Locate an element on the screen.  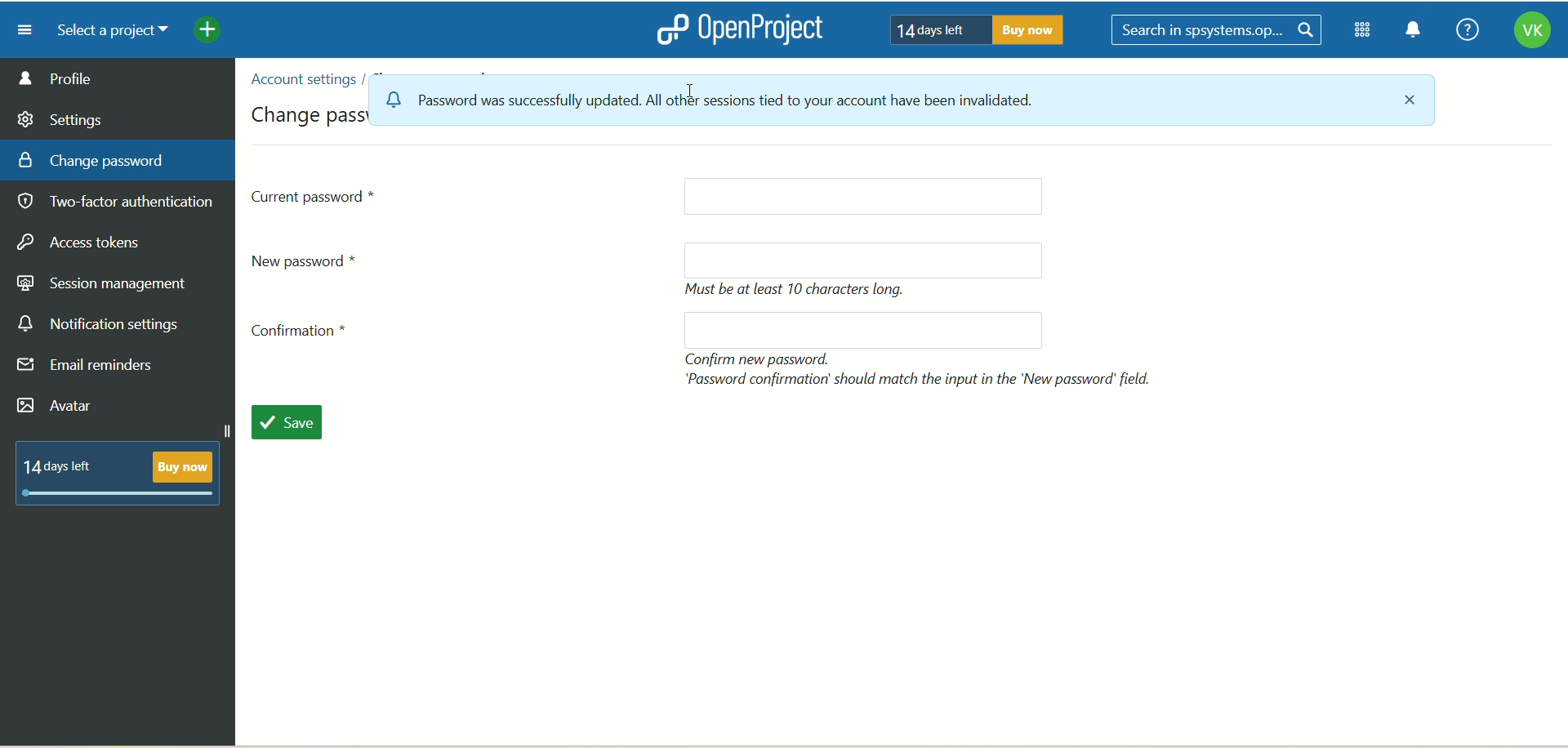
access takers is located at coordinates (86, 243).